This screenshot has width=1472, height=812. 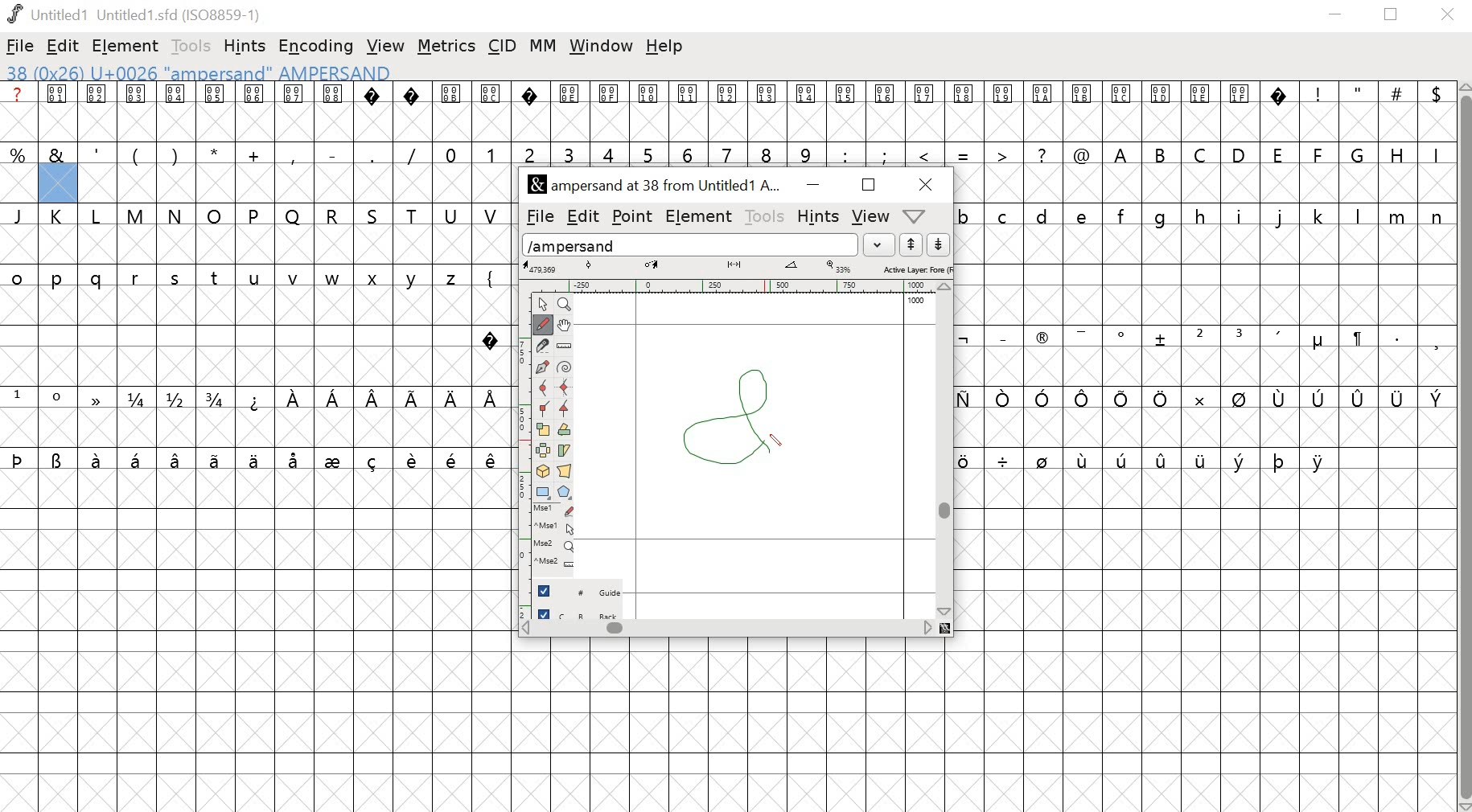 I want to click on selection toggle Guide, so click(x=584, y=590).